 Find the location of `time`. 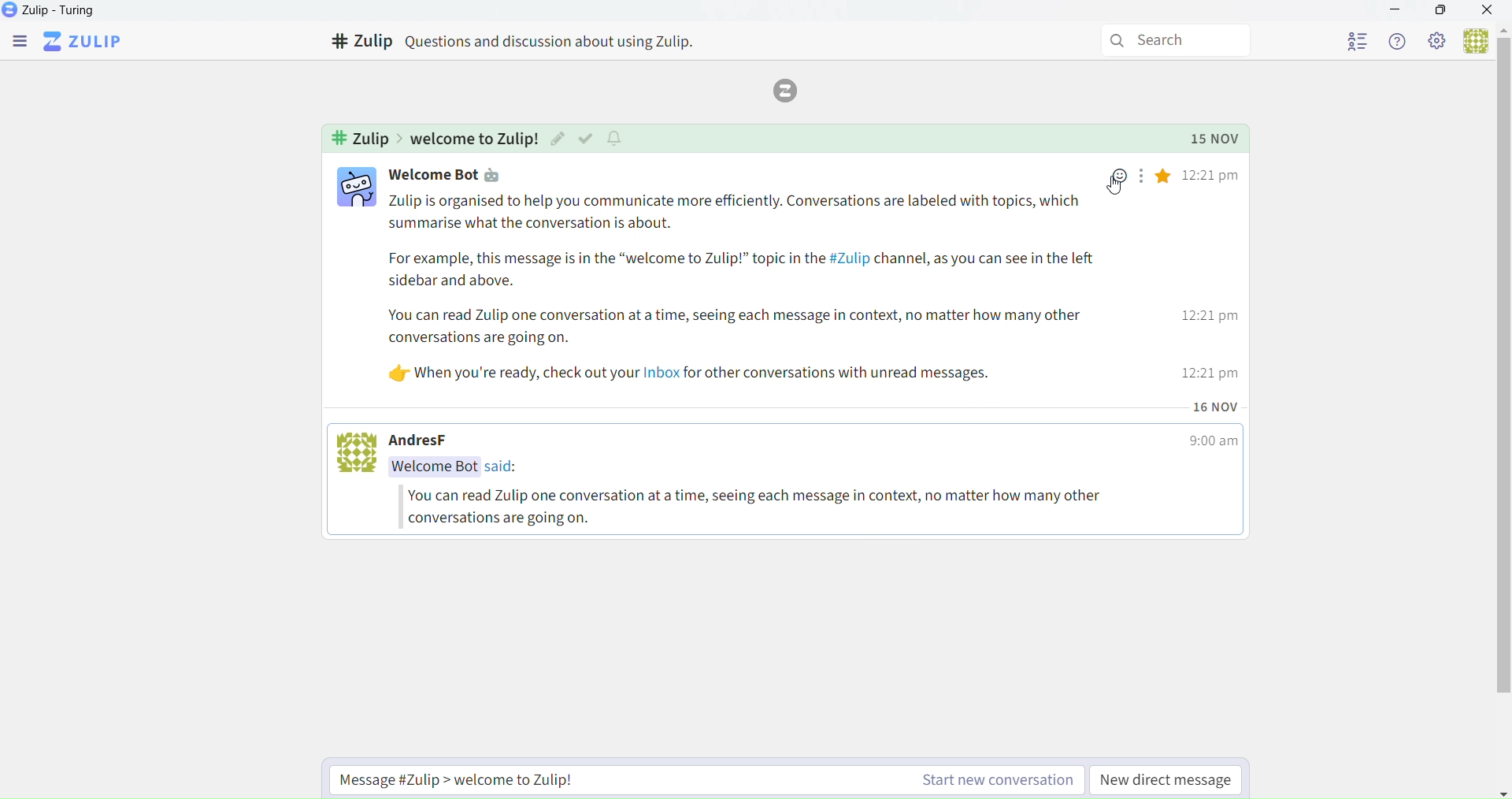

time is located at coordinates (1213, 275).